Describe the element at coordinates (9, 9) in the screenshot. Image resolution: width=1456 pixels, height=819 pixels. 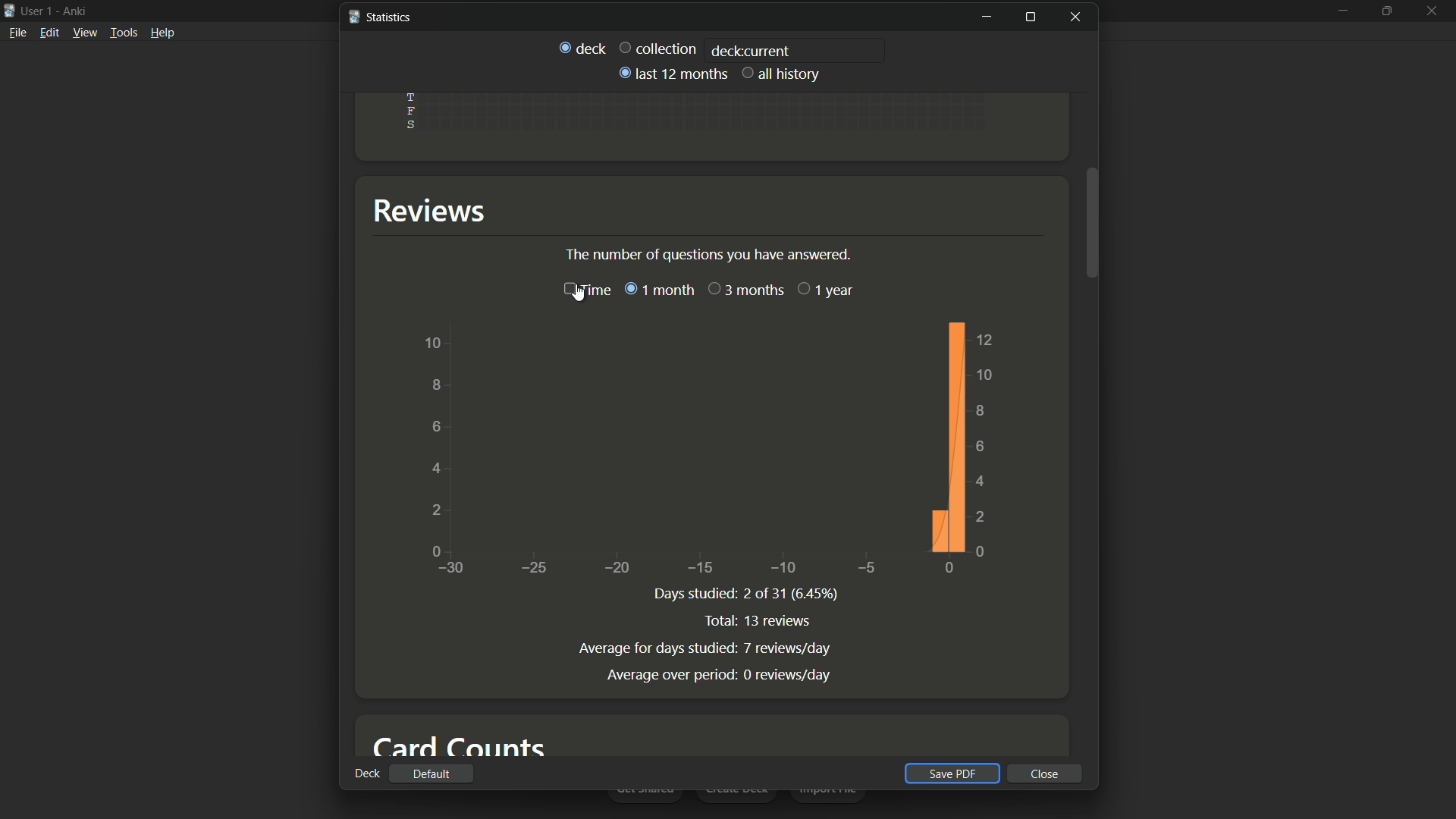
I see `app icon` at that location.